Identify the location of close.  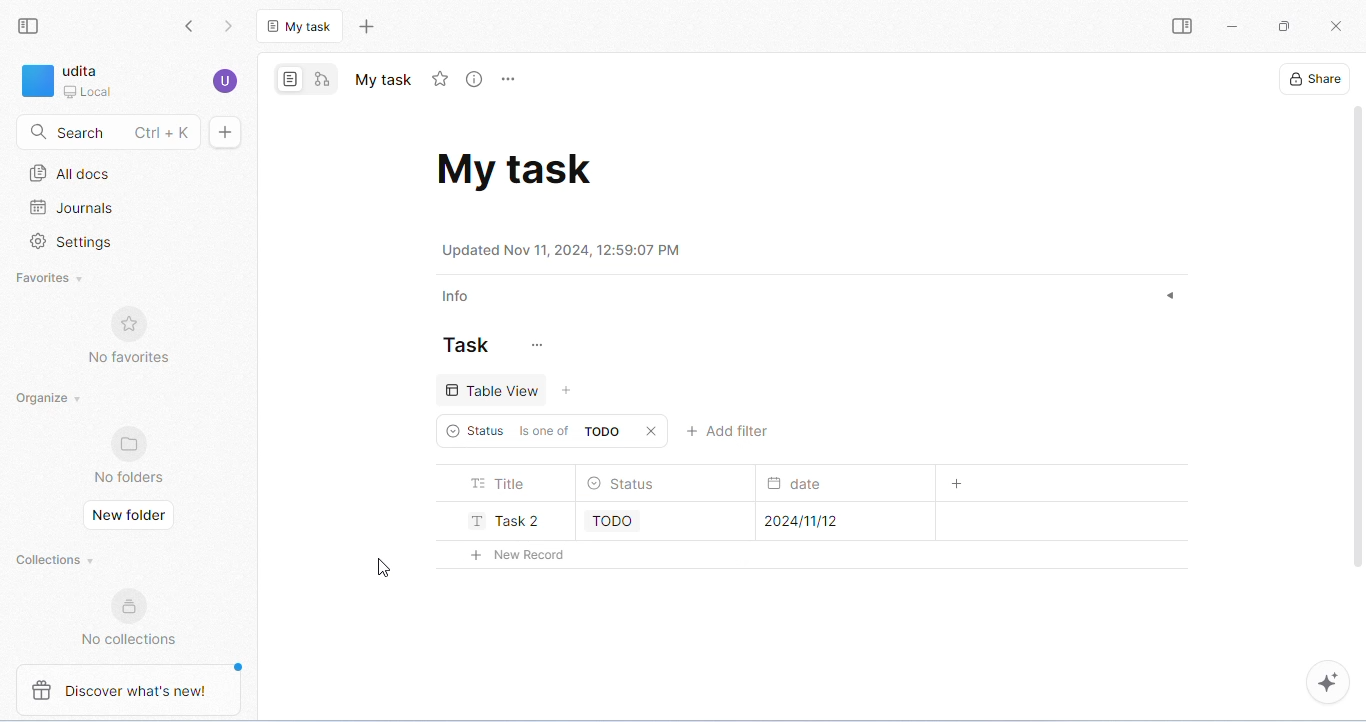
(655, 431).